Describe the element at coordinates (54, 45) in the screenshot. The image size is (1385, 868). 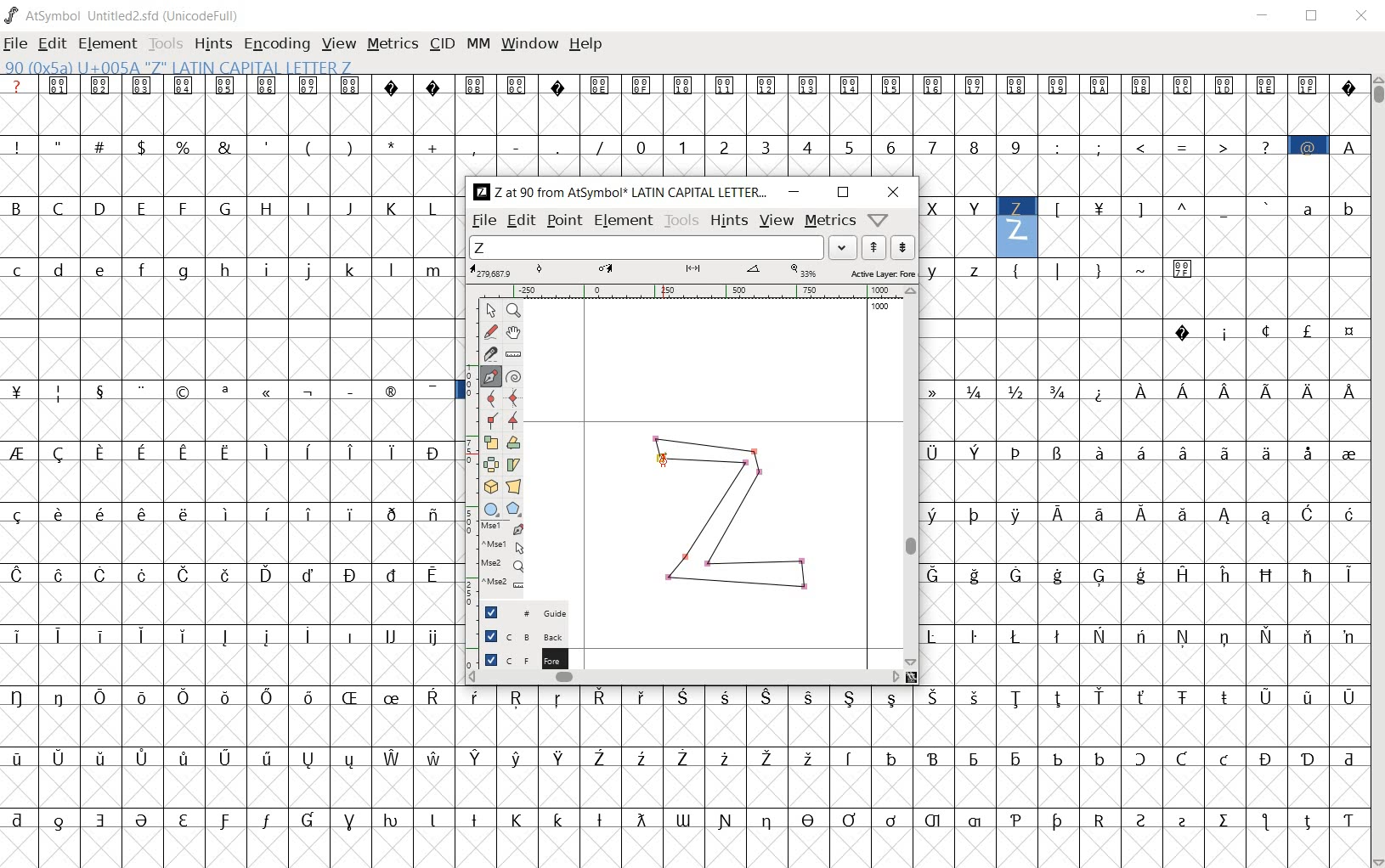
I see `edit` at that location.